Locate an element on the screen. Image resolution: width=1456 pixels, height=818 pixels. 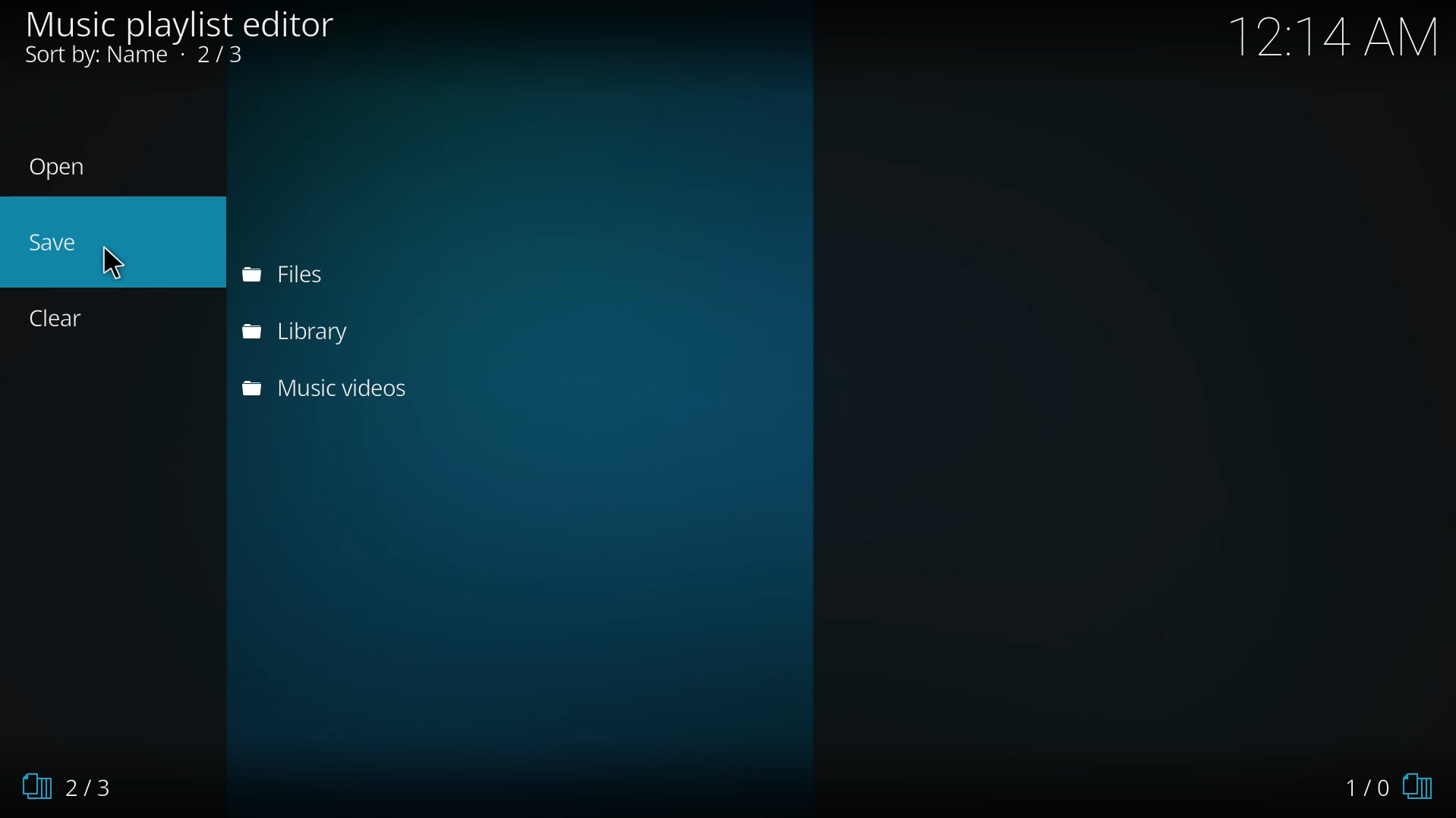
files is located at coordinates (280, 274).